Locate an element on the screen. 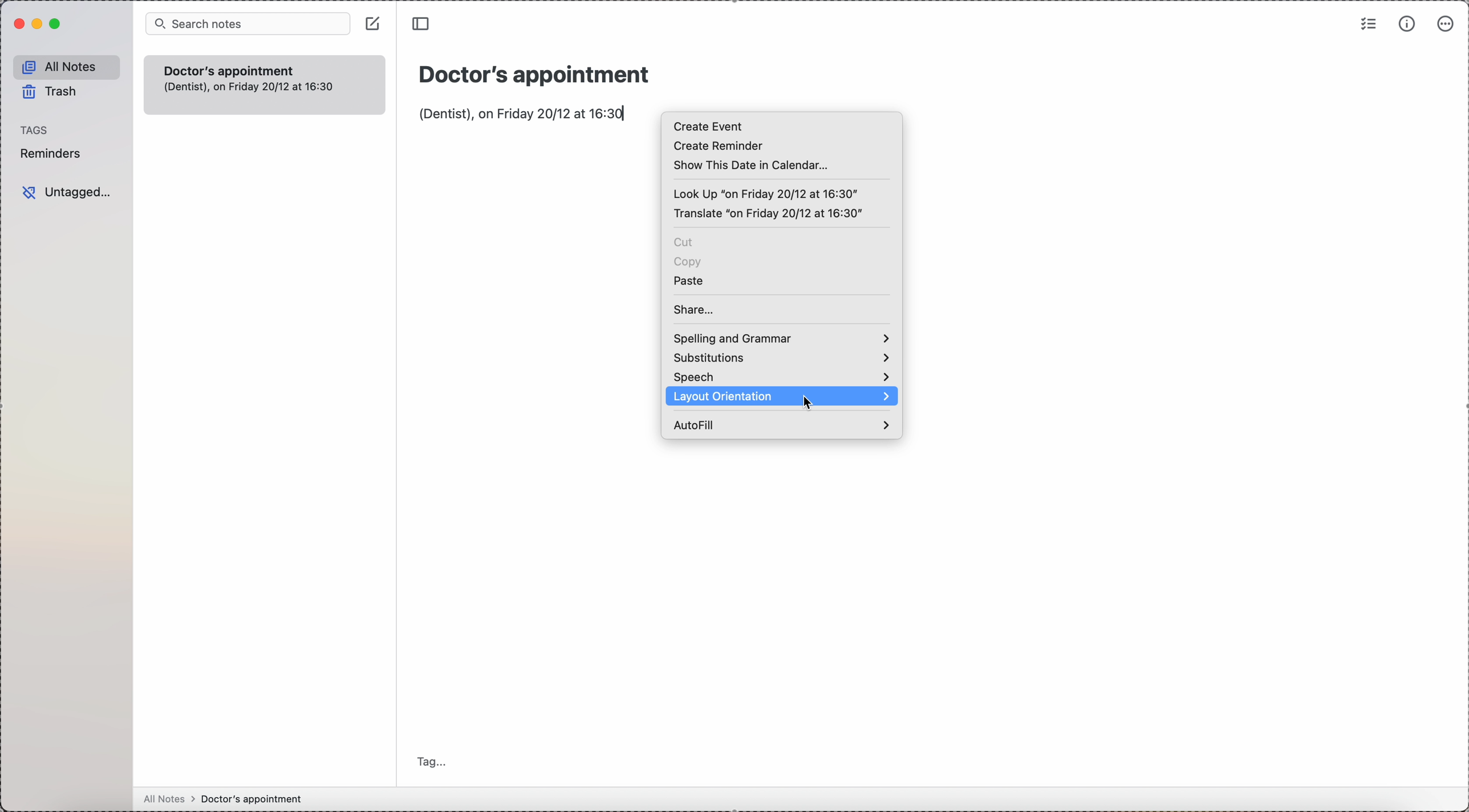  tag is located at coordinates (431, 761).